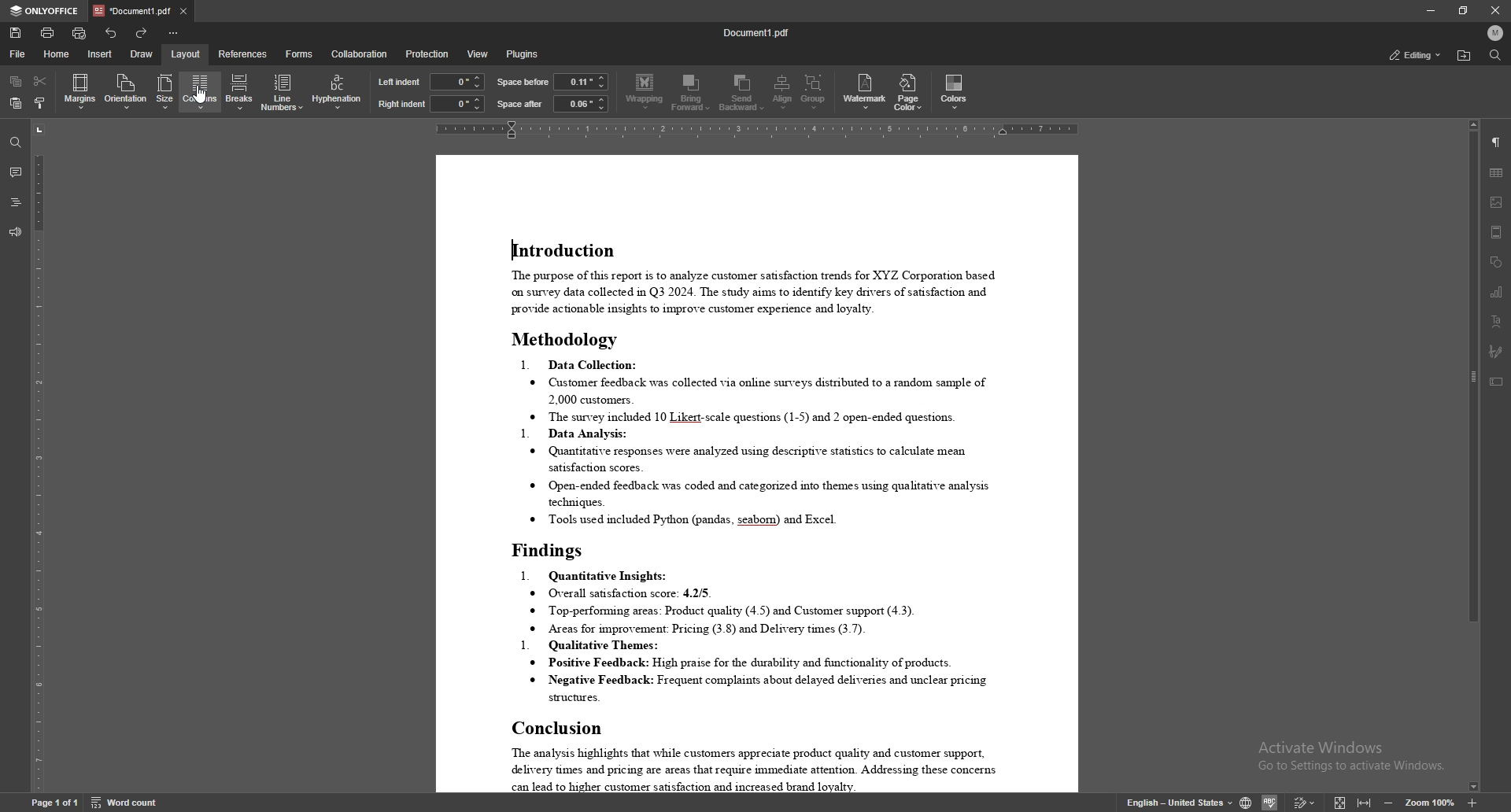  What do you see at coordinates (1472, 803) in the screenshot?
I see `zoom in` at bounding box center [1472, 803].